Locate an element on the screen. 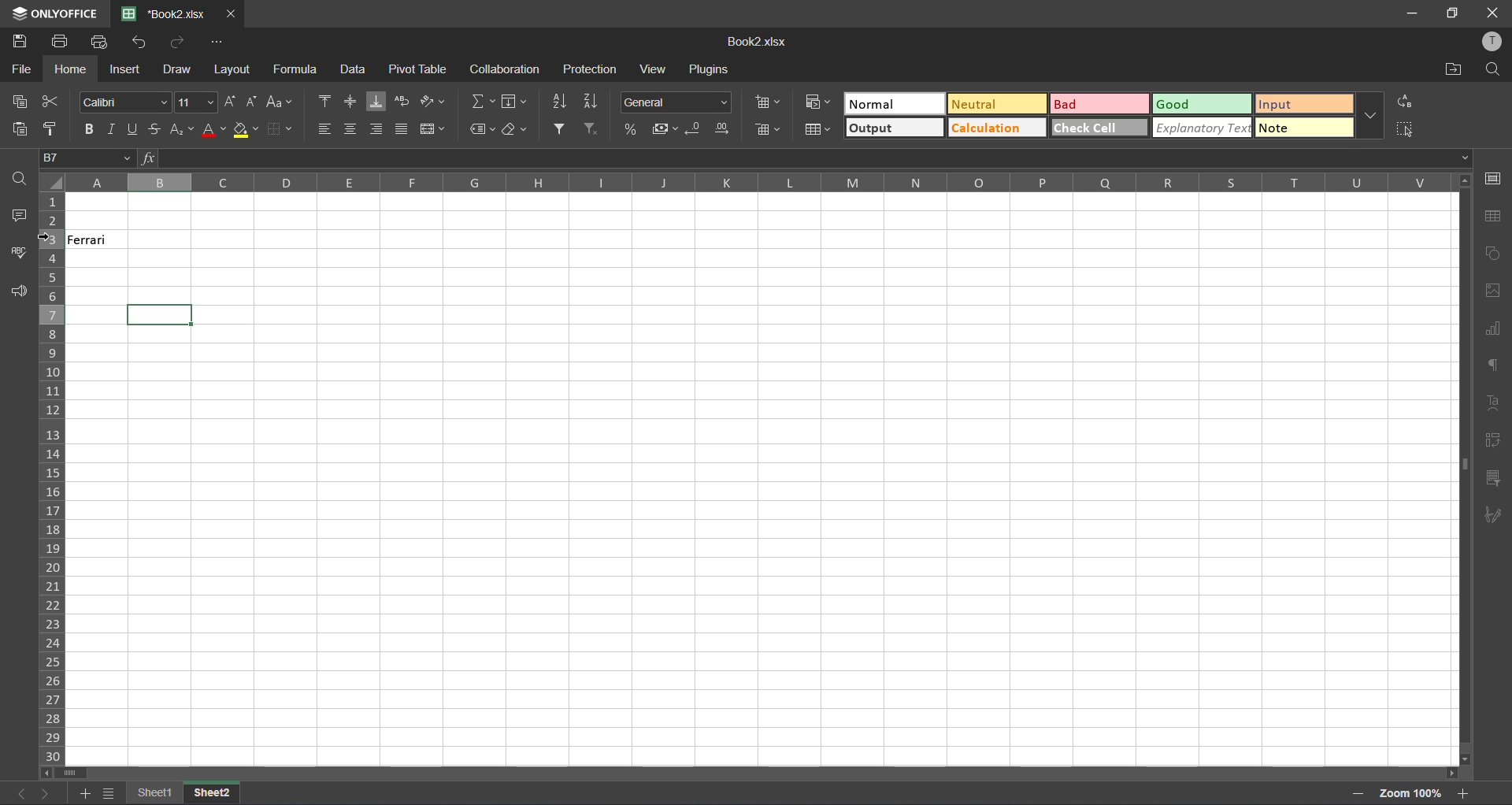 The width and height of the screenshot is (1512, 805). plugins is located at coordinates (711, 71).